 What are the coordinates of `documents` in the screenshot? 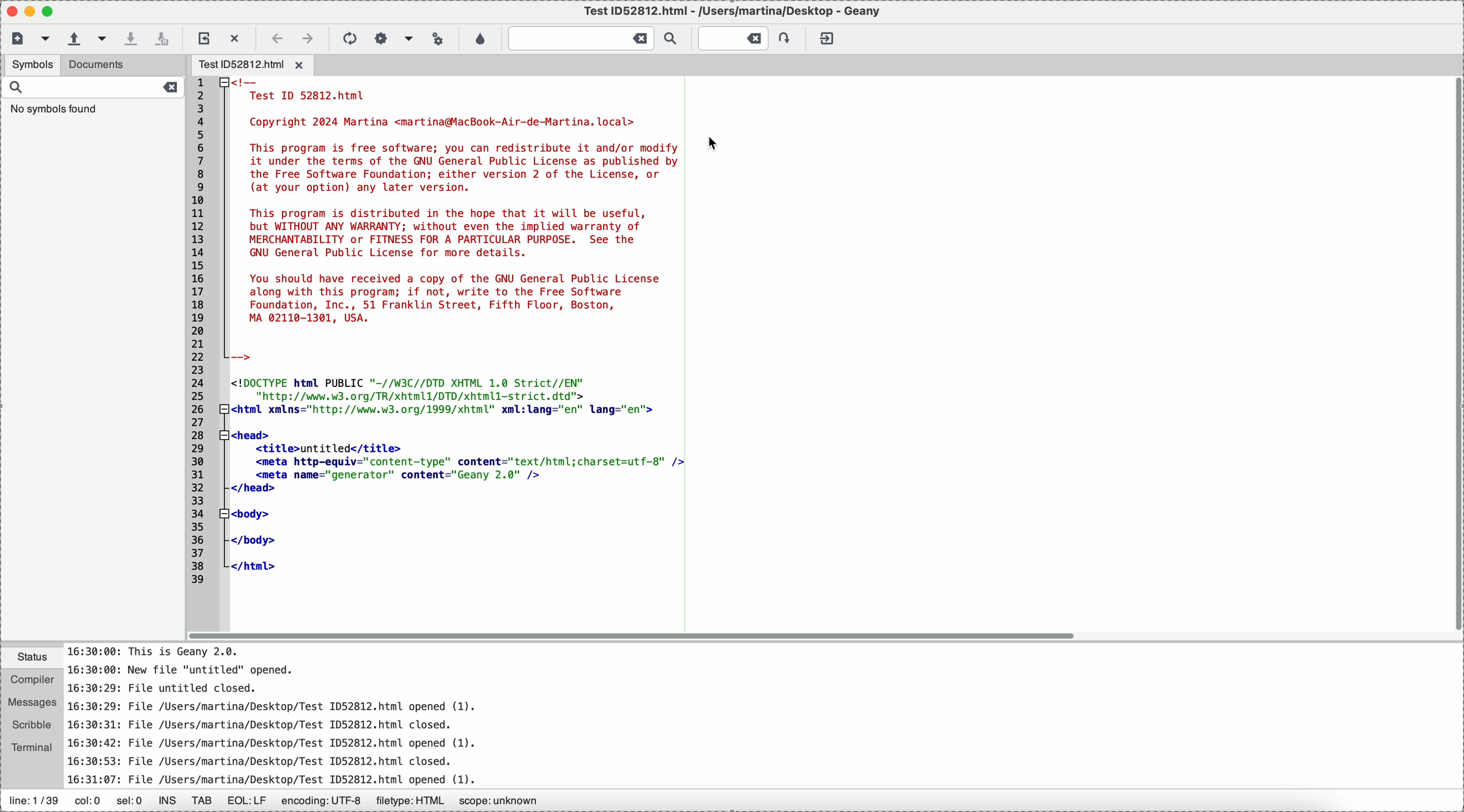 It's located at (122, 65).